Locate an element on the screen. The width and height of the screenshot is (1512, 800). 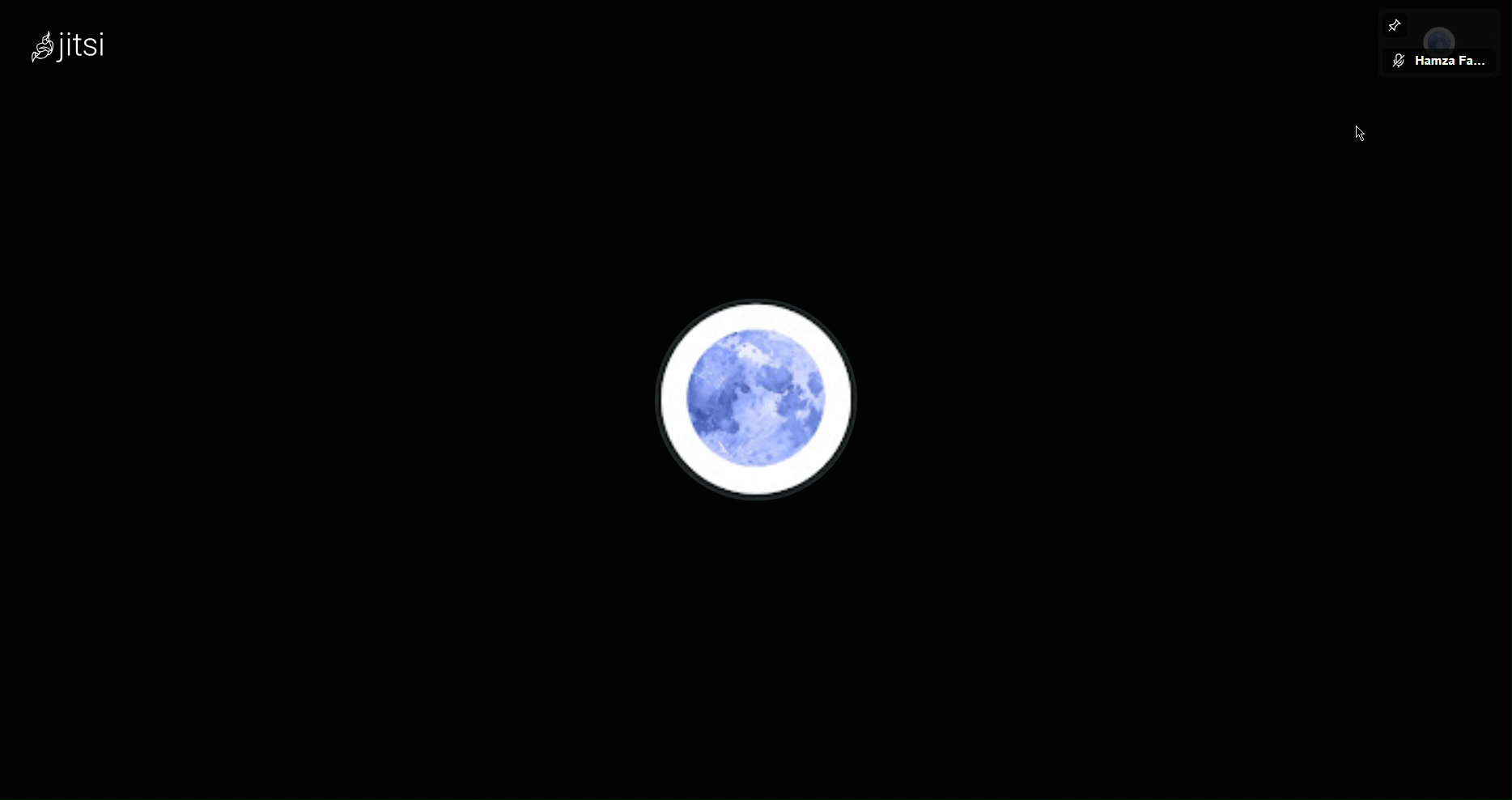
Cursor is located at coordinates (1357, 131).